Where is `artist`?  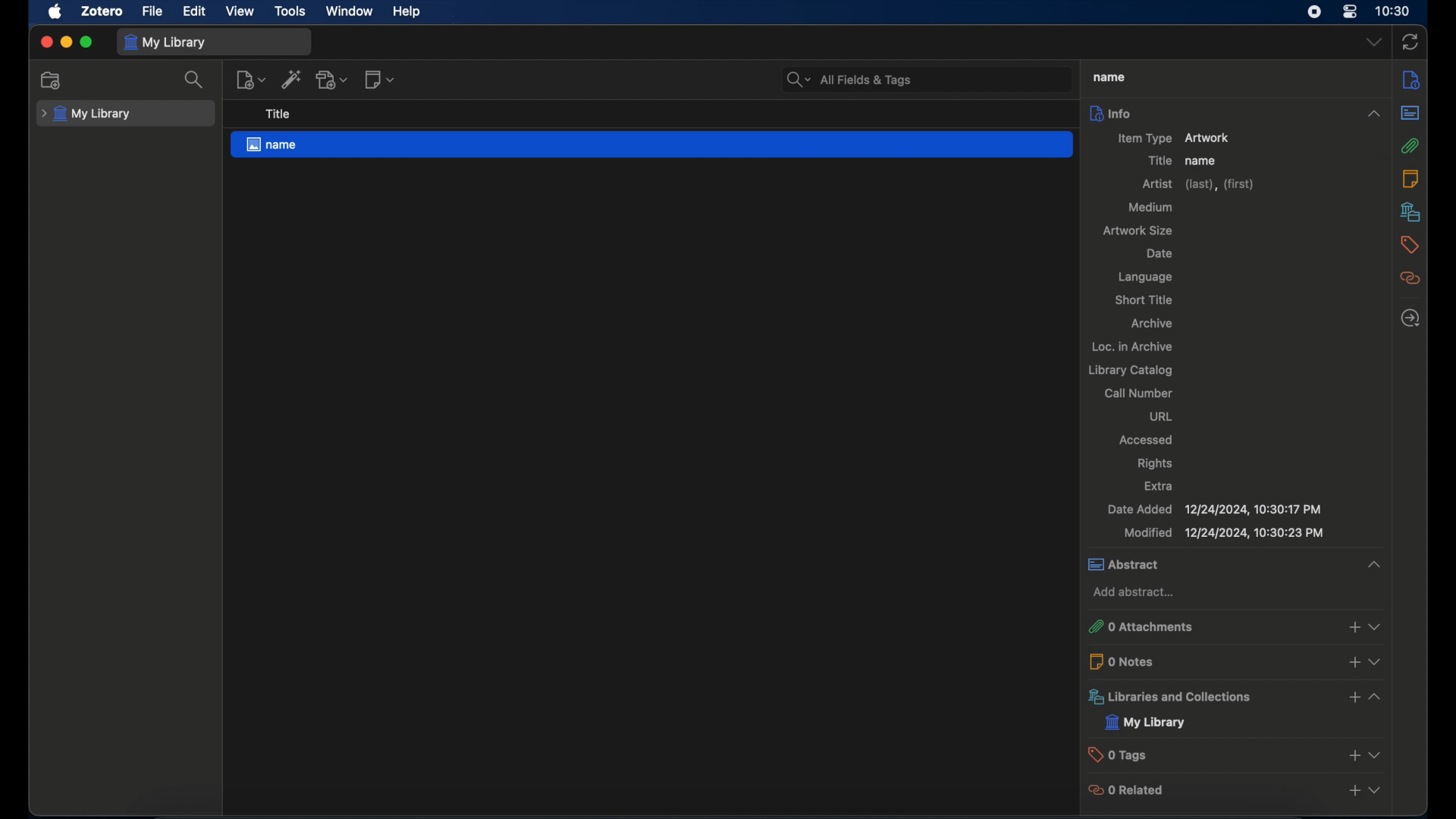
artist is located at coordinates (1200, 184).